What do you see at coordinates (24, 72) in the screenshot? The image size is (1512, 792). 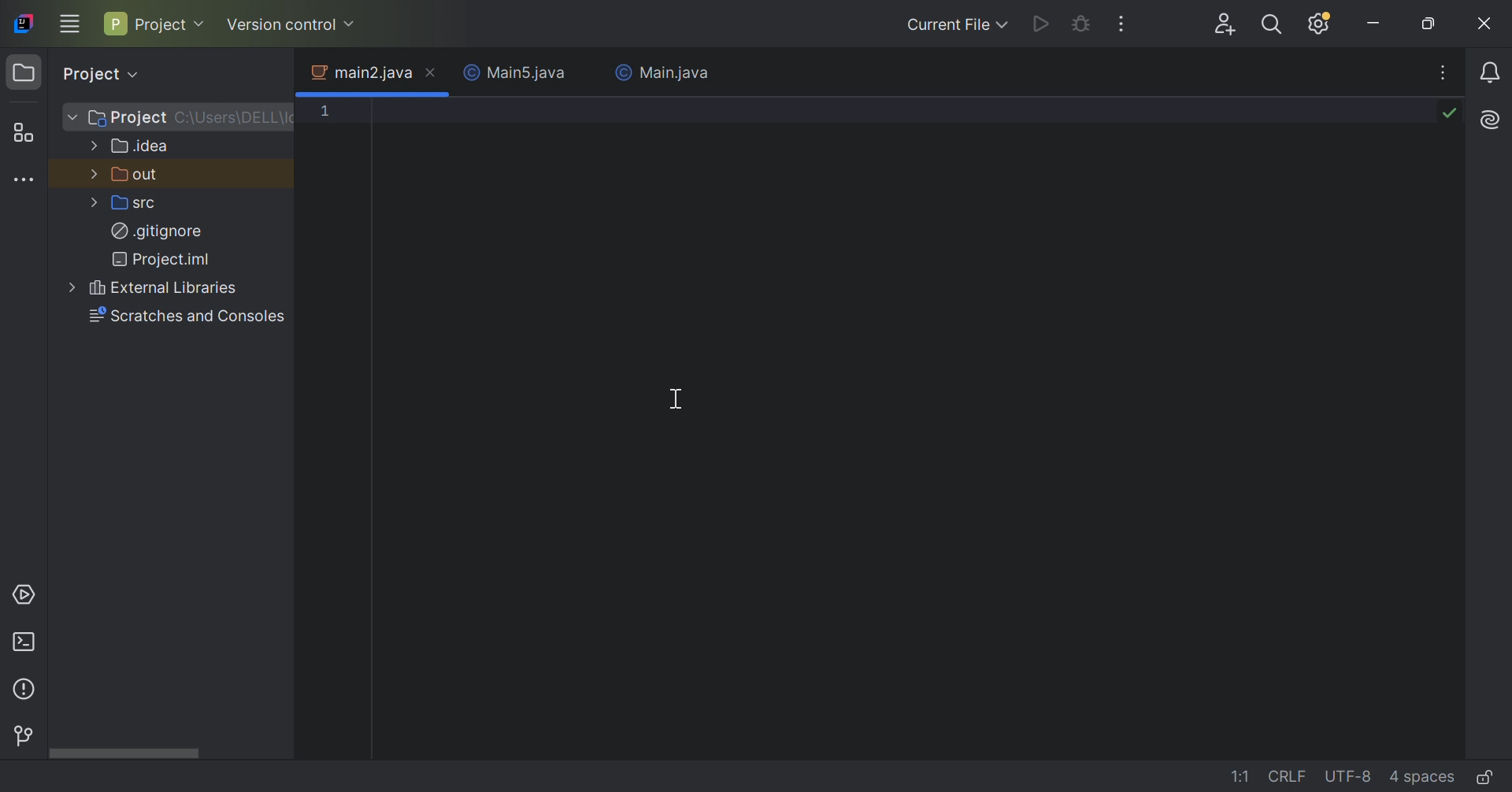 I see `Project icon` at bounding box center [24, 72].